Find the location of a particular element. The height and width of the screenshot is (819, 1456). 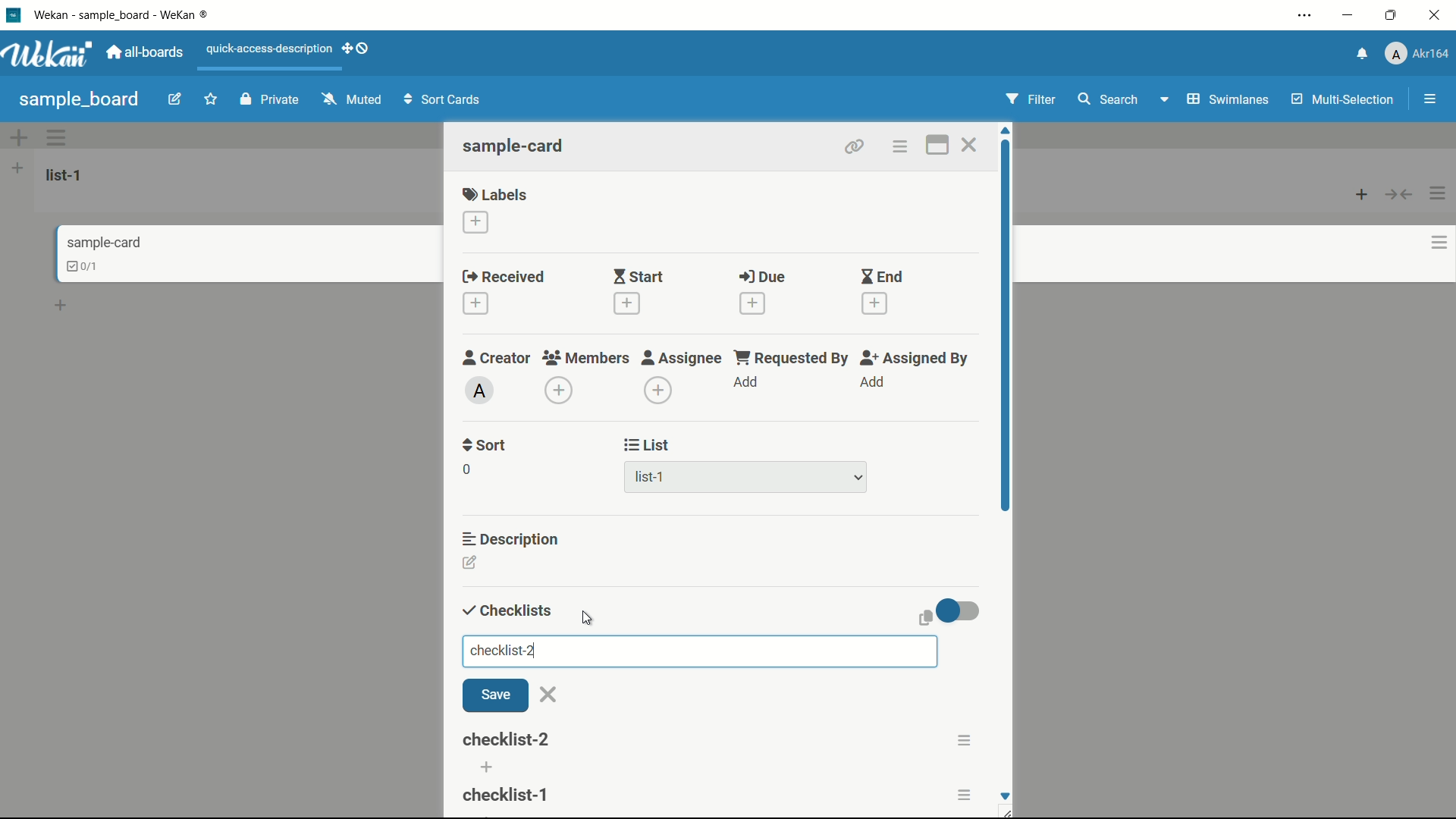

creator is located at coordinates (497, 357).